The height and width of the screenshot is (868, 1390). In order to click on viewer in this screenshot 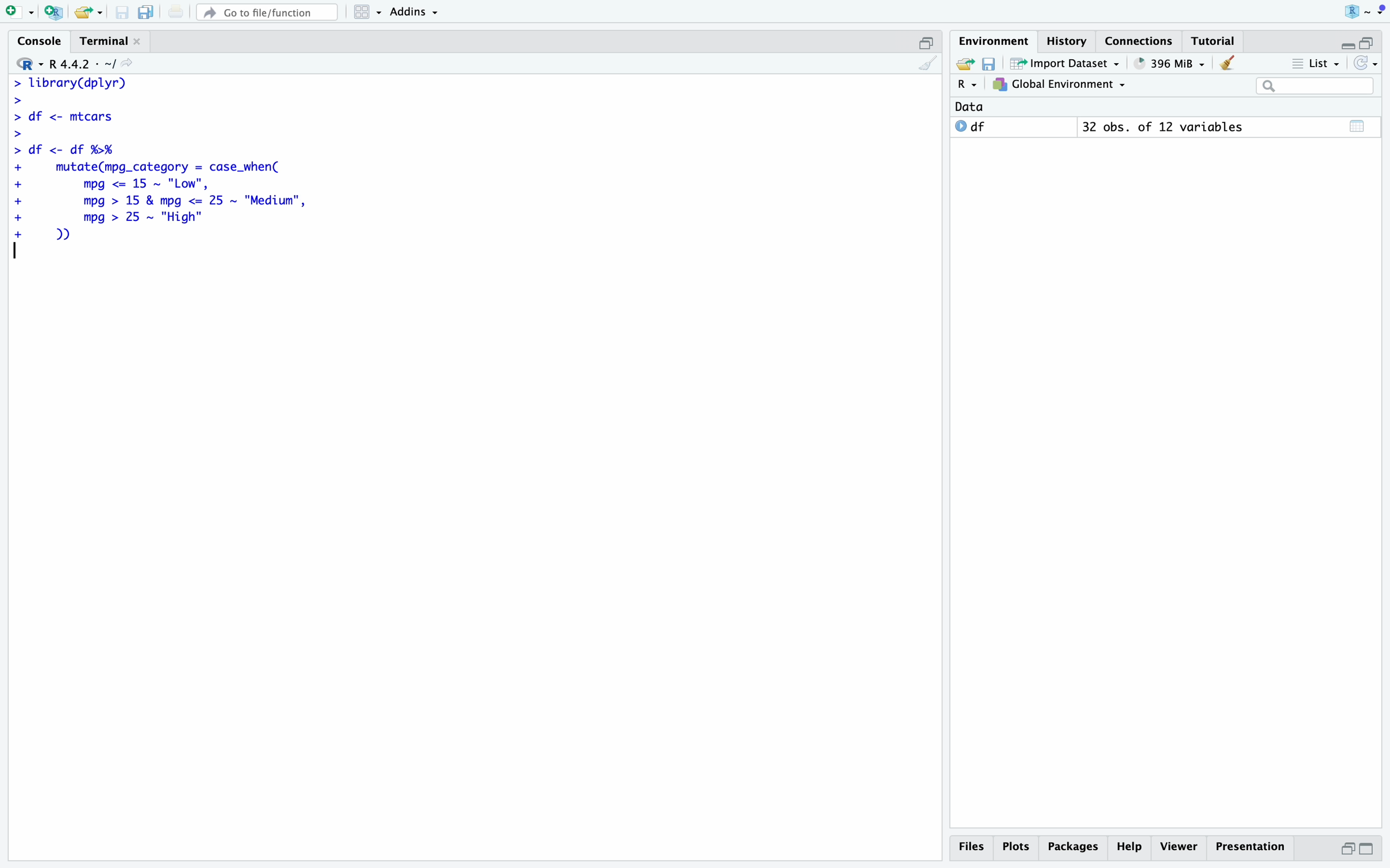, I will do `click(1180, 846)`.